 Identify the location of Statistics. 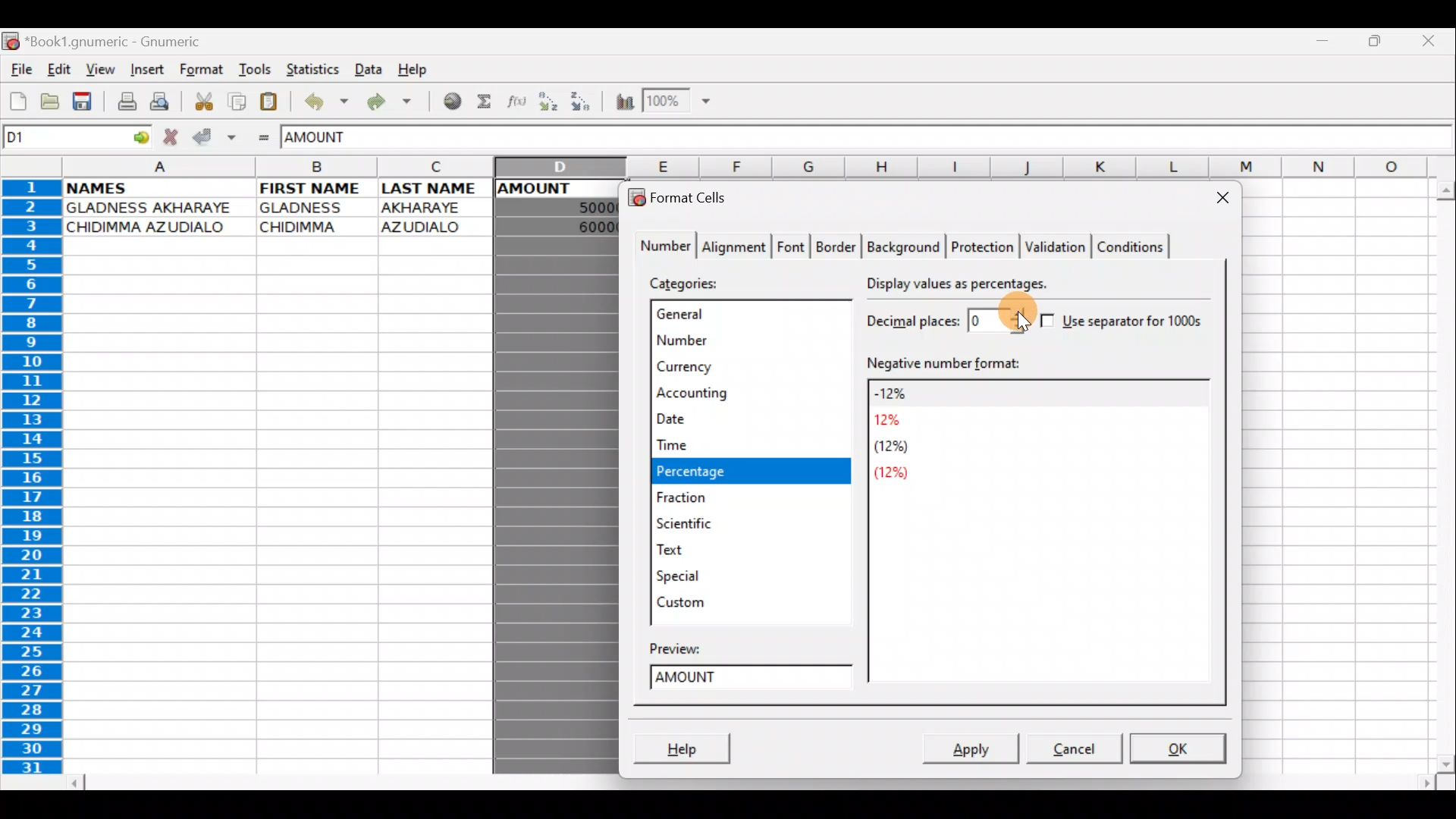
(309, 69).